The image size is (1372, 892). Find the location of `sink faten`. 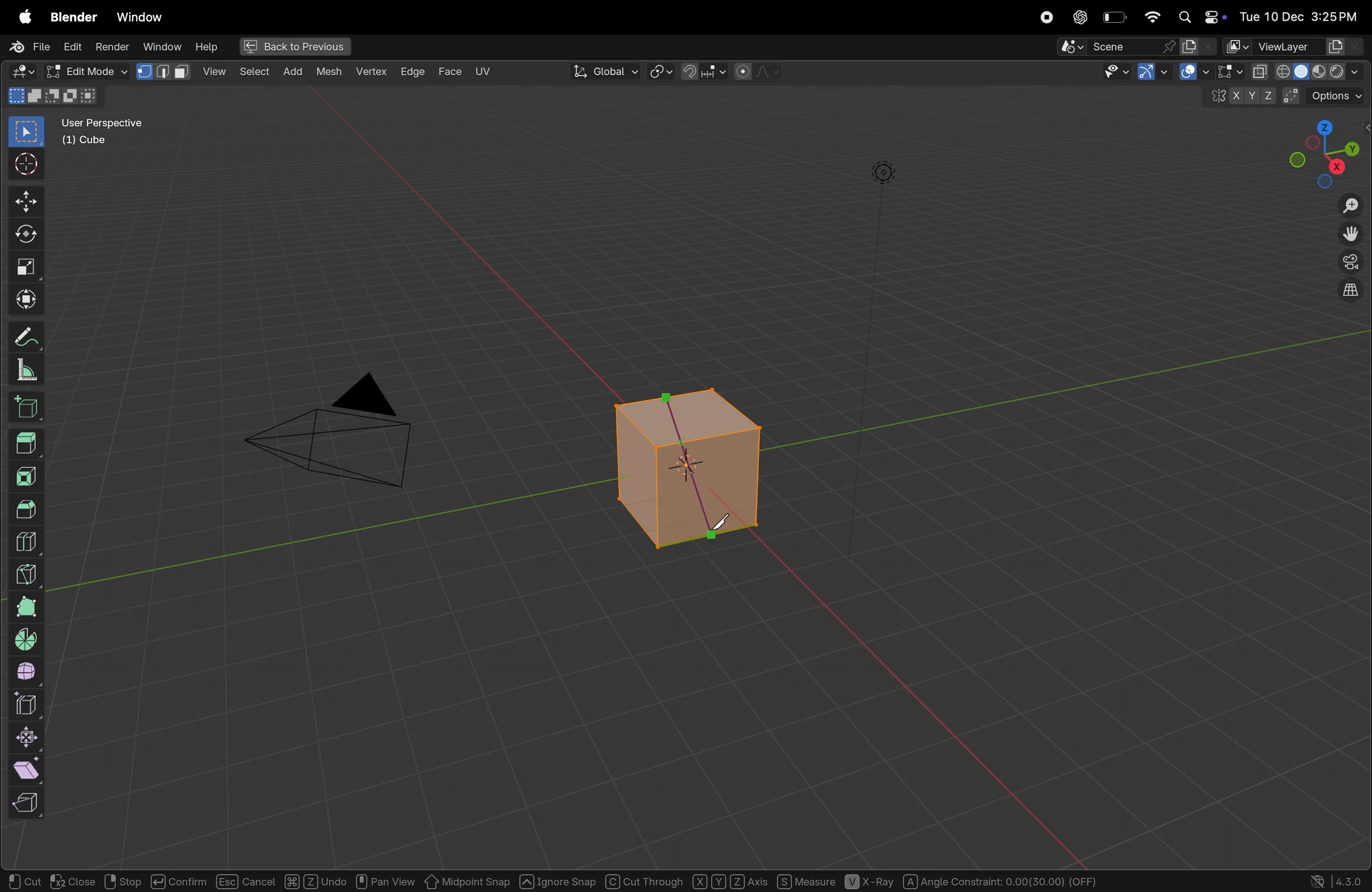

sink faten is located at coordinates (29, 738).